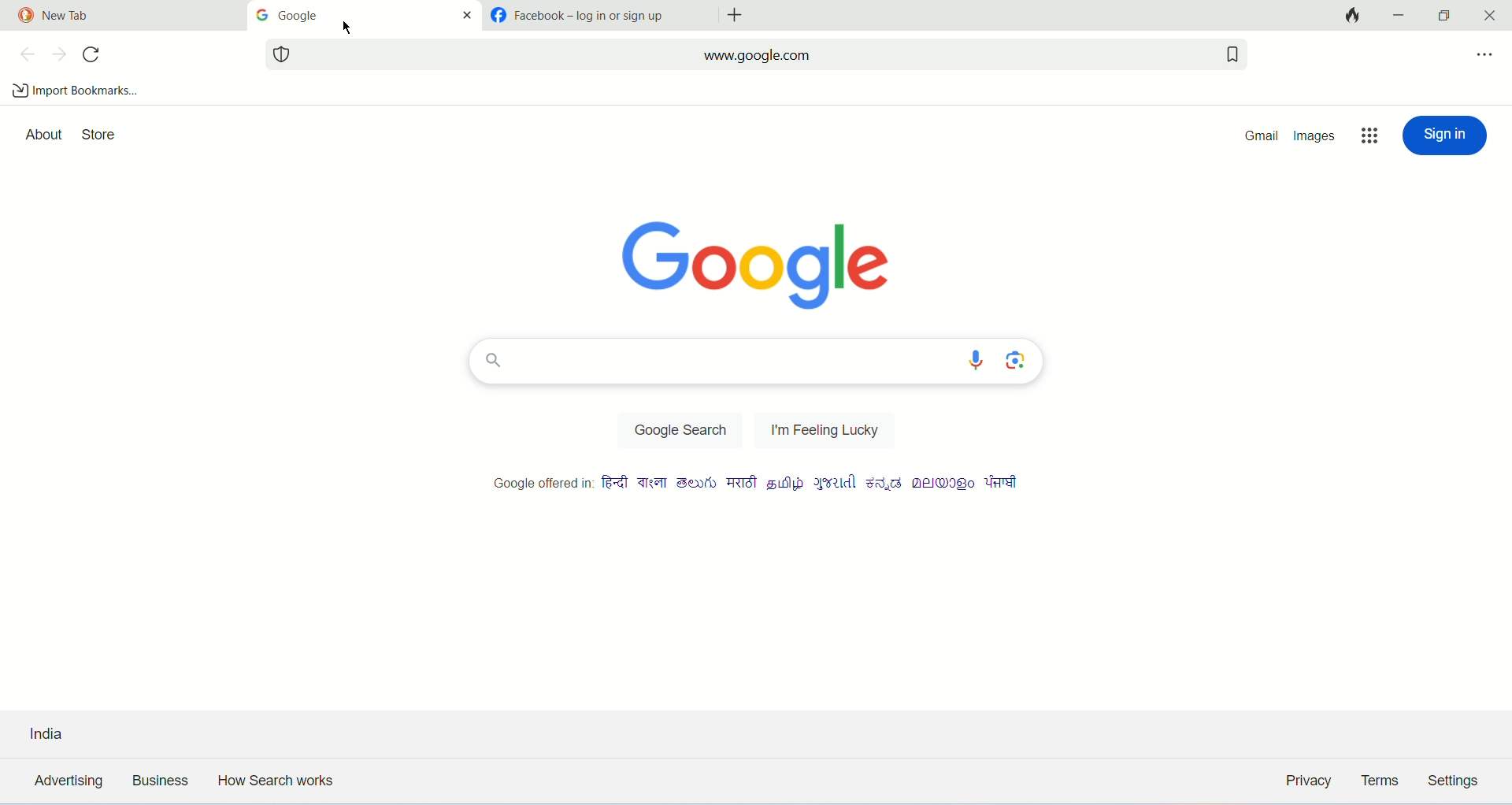 This screenshot has height=805, width=1512. I want to click on minimize, so click(1399, 15).